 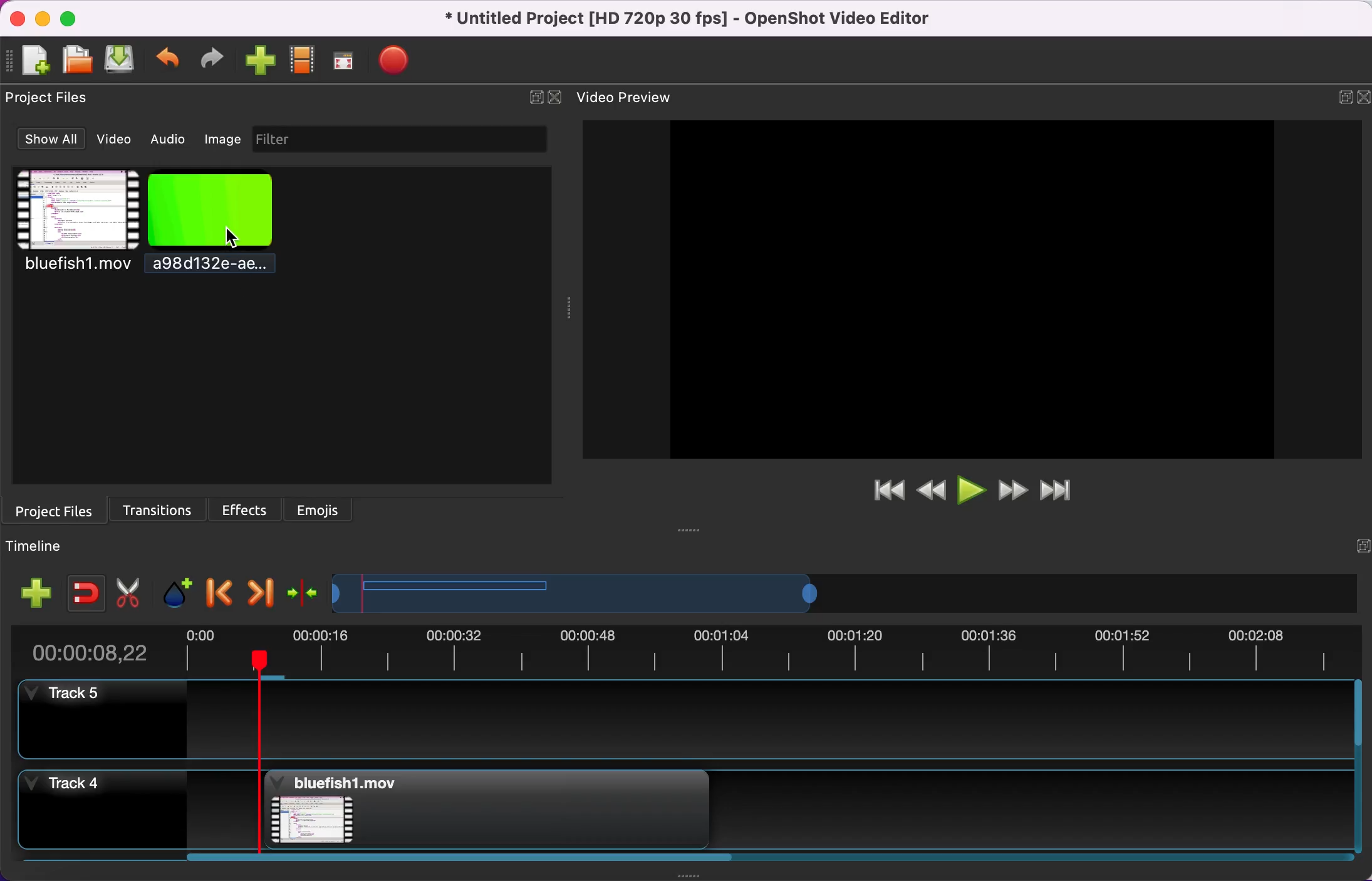 What do you see at coordinates (558, 98) in the screenshot?
I see `close` at bounding box center [558, 98].